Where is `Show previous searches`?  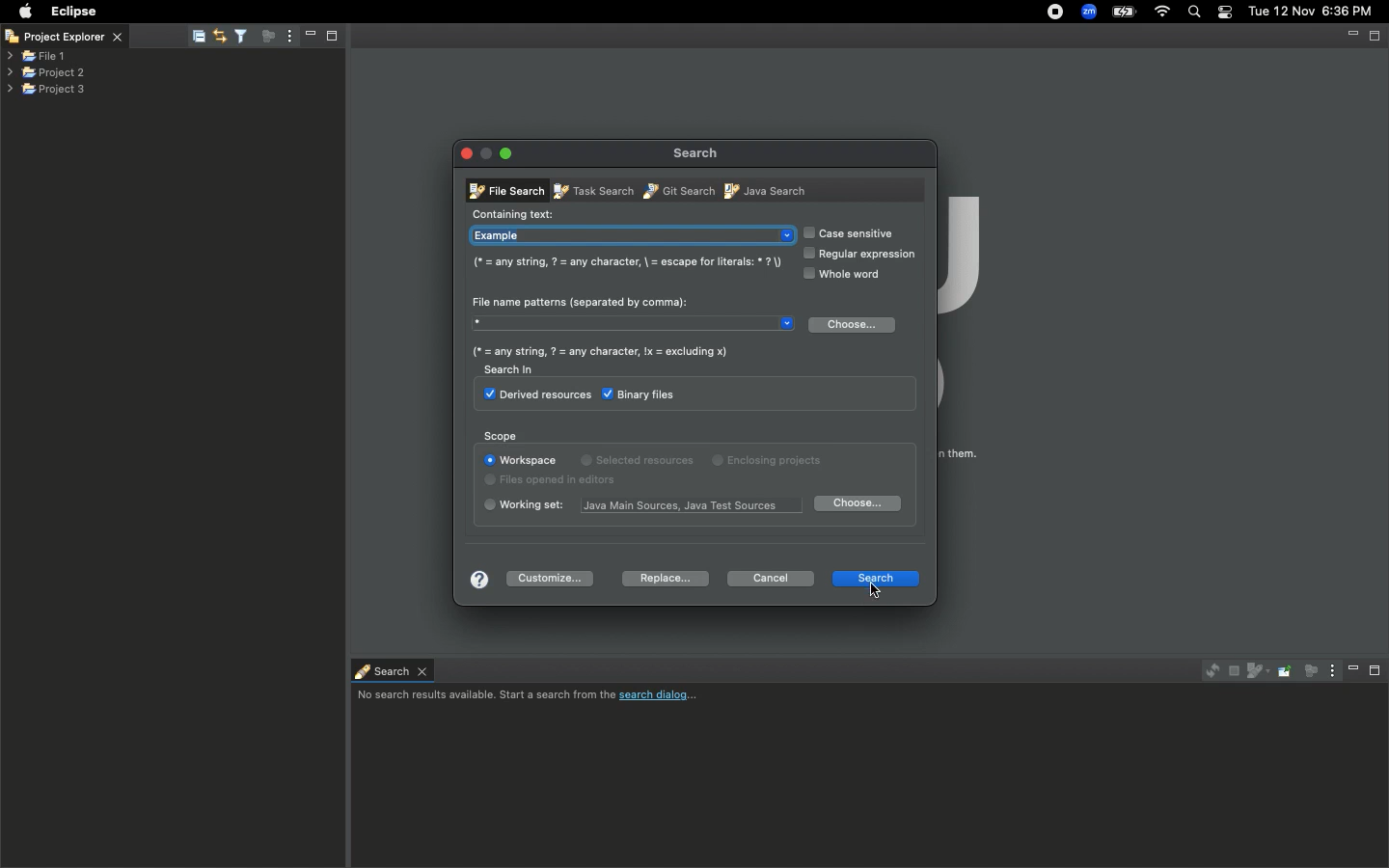 Show previous searches is located at coordinates (1256, 671).